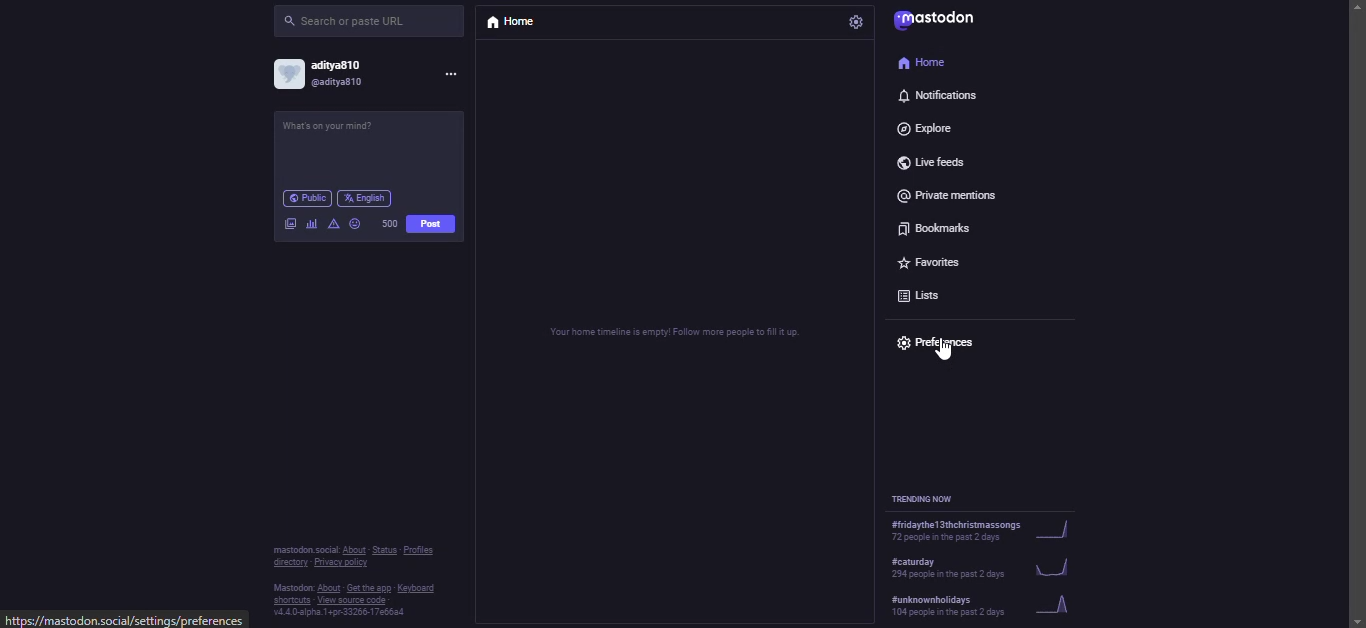  Describe the element at coordinates (125, 621) in the screenshot. I see `website` at that location.